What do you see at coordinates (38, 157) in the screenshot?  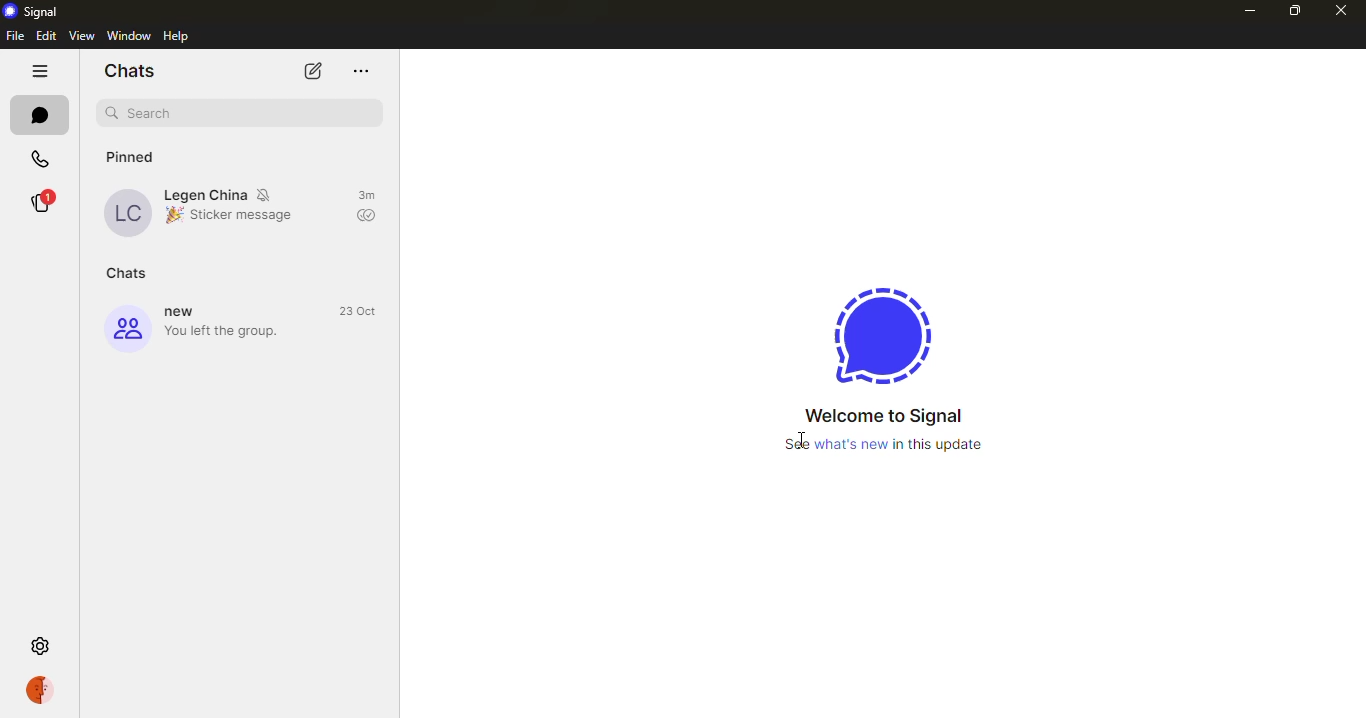 I see `calls` at bounding box center [38, 157].